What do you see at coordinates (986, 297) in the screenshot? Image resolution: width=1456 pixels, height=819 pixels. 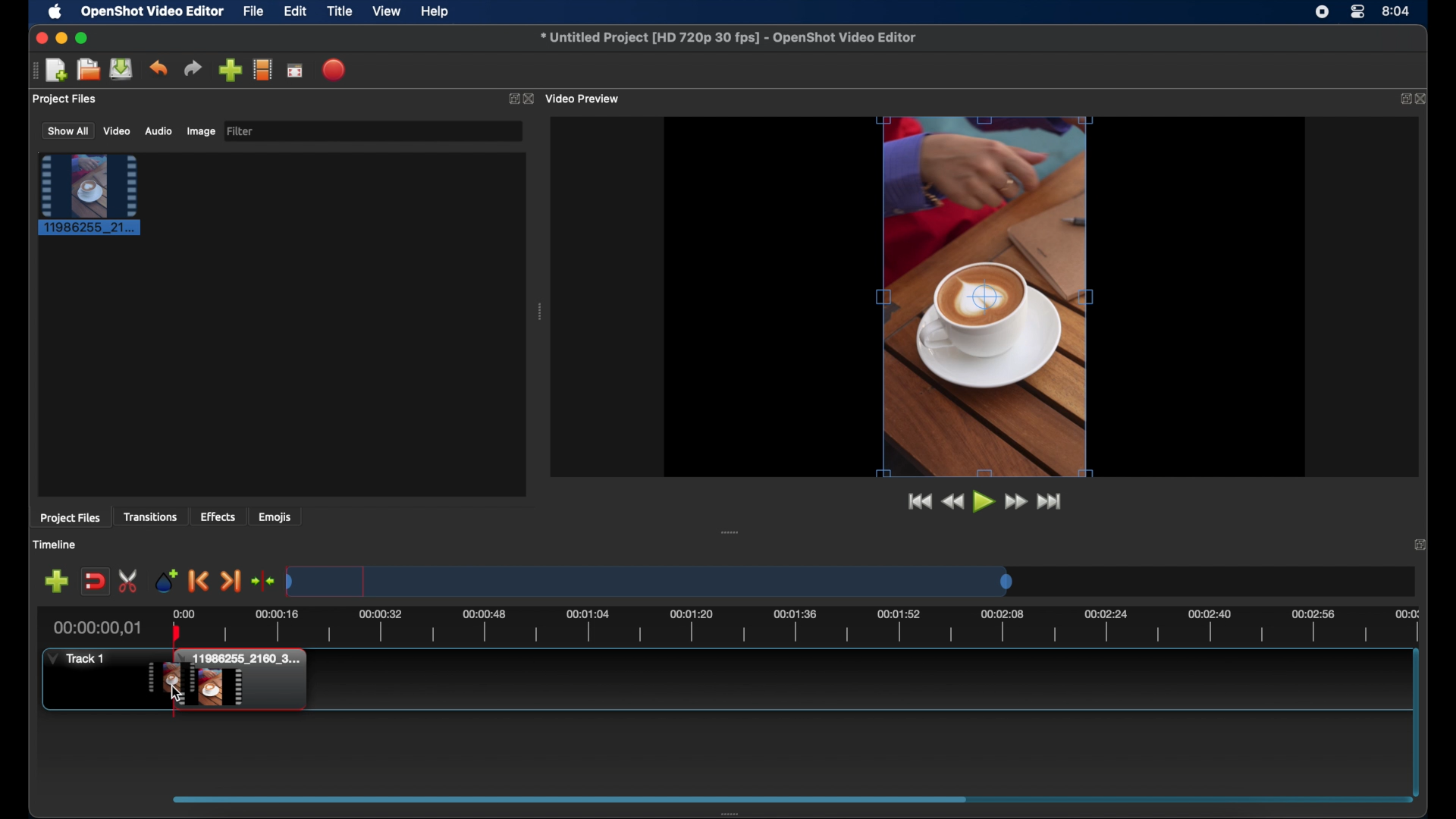 I see `video preview` at bounding box center [986, 297].